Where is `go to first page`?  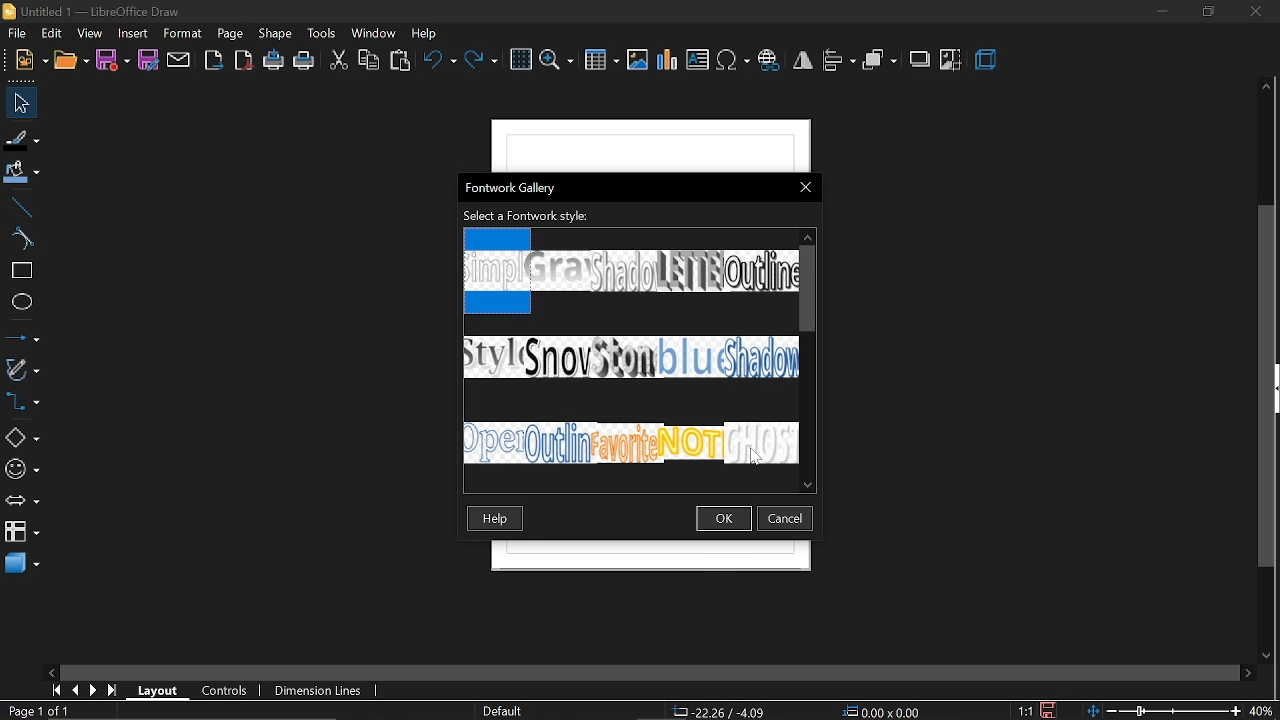
go to first page is located at coordinates (53, 690).